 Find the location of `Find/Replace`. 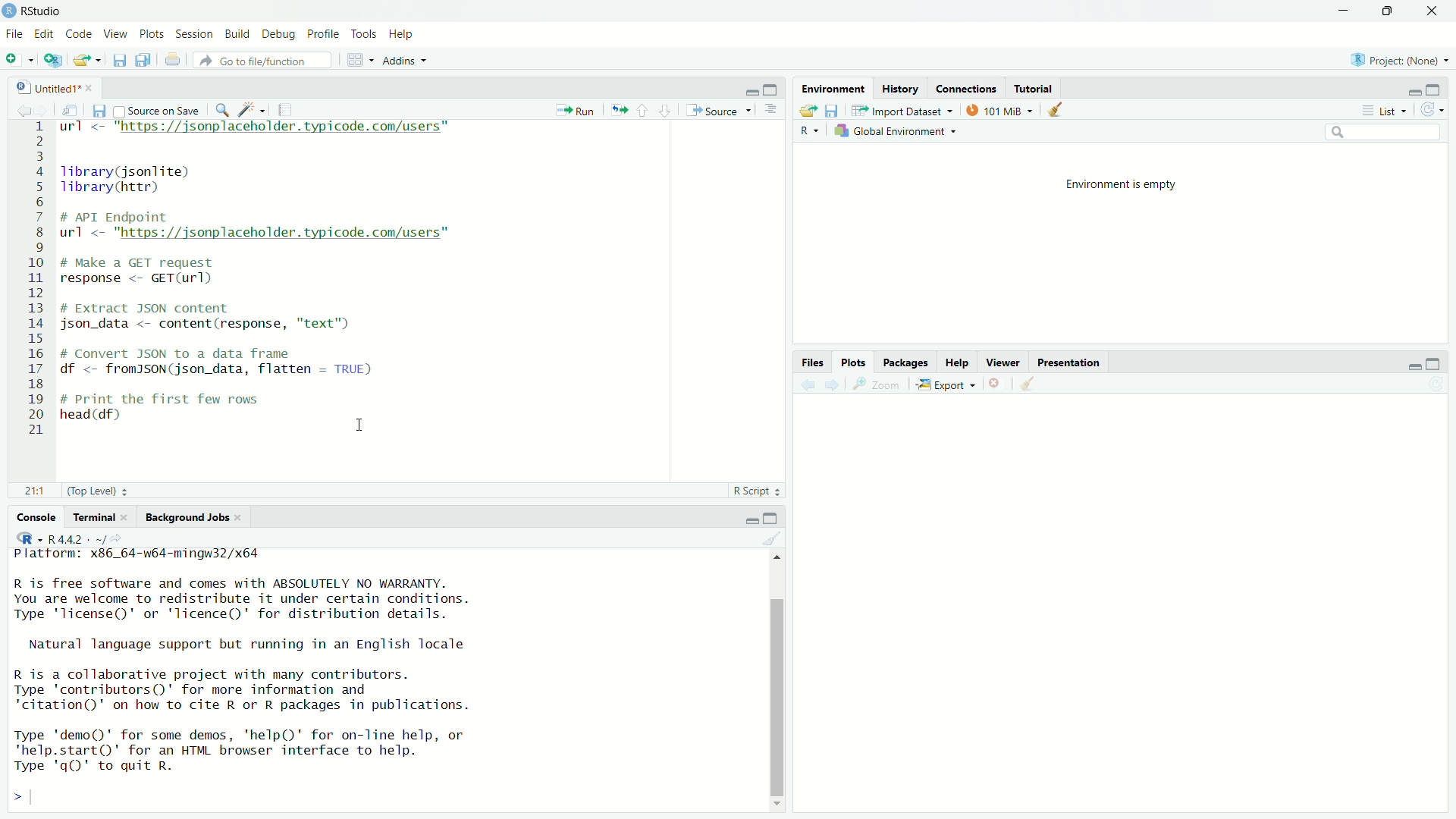

Find/Replace is located at coordinates (223, 110).